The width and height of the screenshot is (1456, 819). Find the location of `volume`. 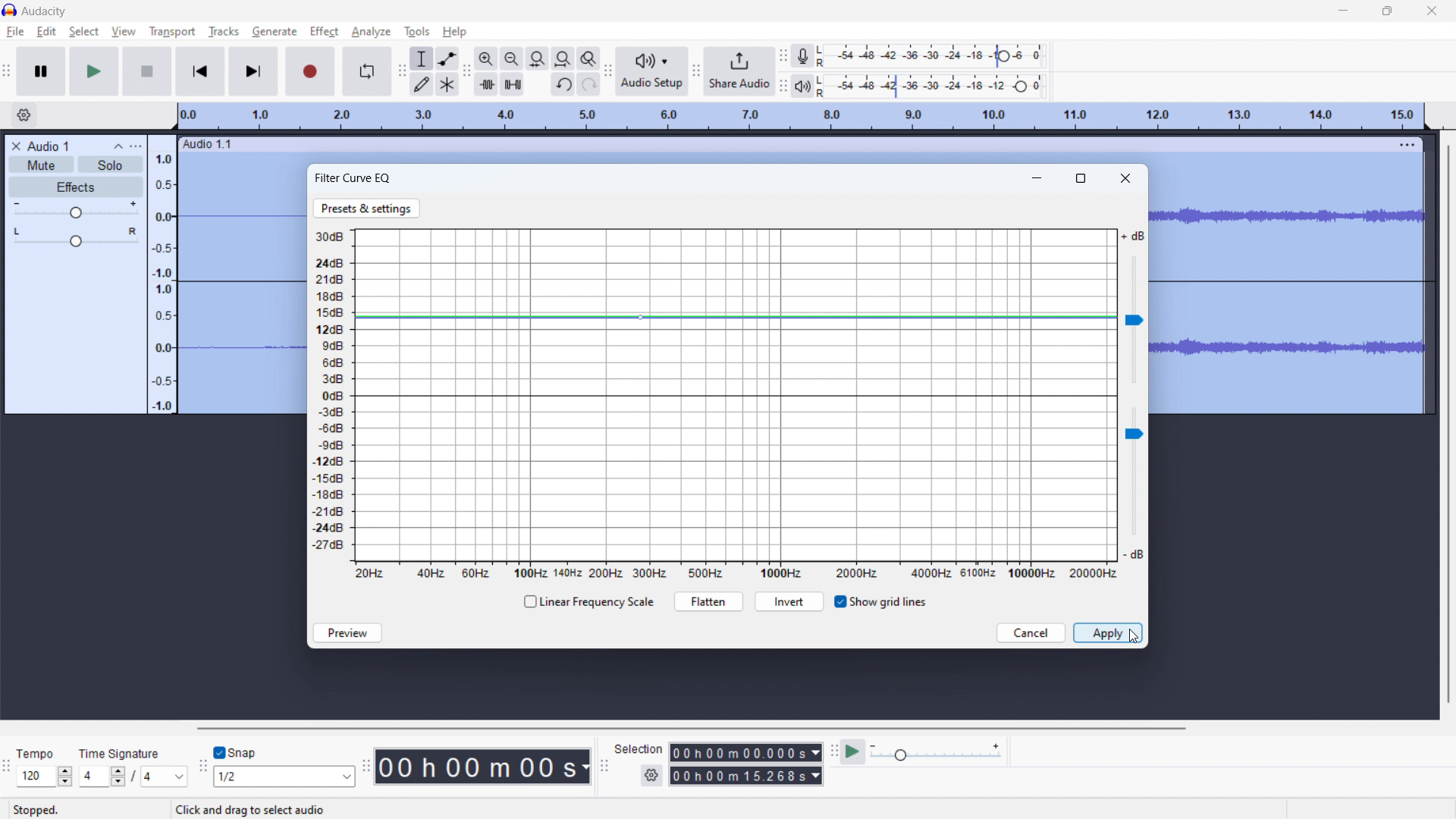

volume is located at coordinates (77, 210).